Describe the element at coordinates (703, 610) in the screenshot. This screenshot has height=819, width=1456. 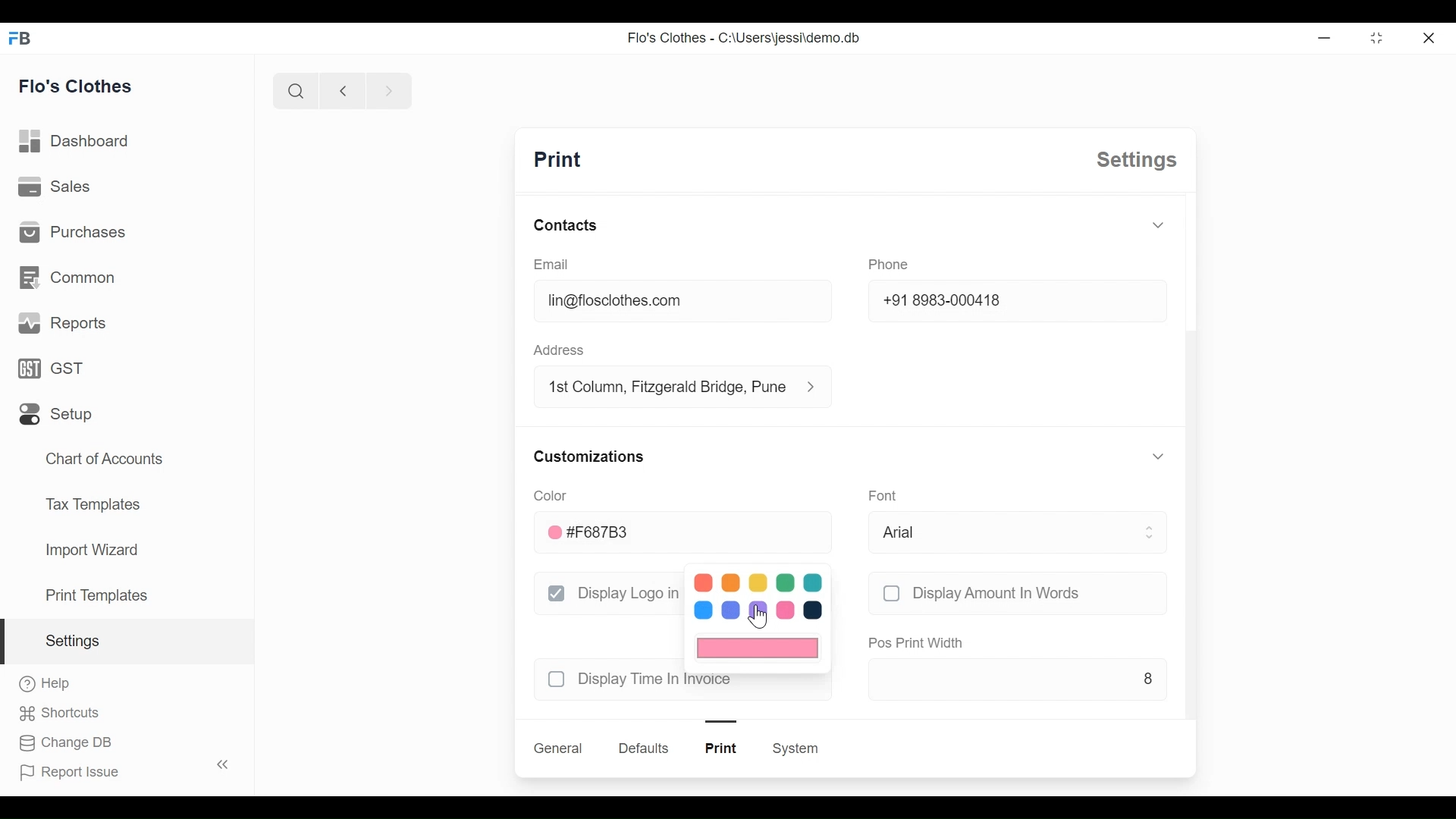
I see `color 6` at that location.